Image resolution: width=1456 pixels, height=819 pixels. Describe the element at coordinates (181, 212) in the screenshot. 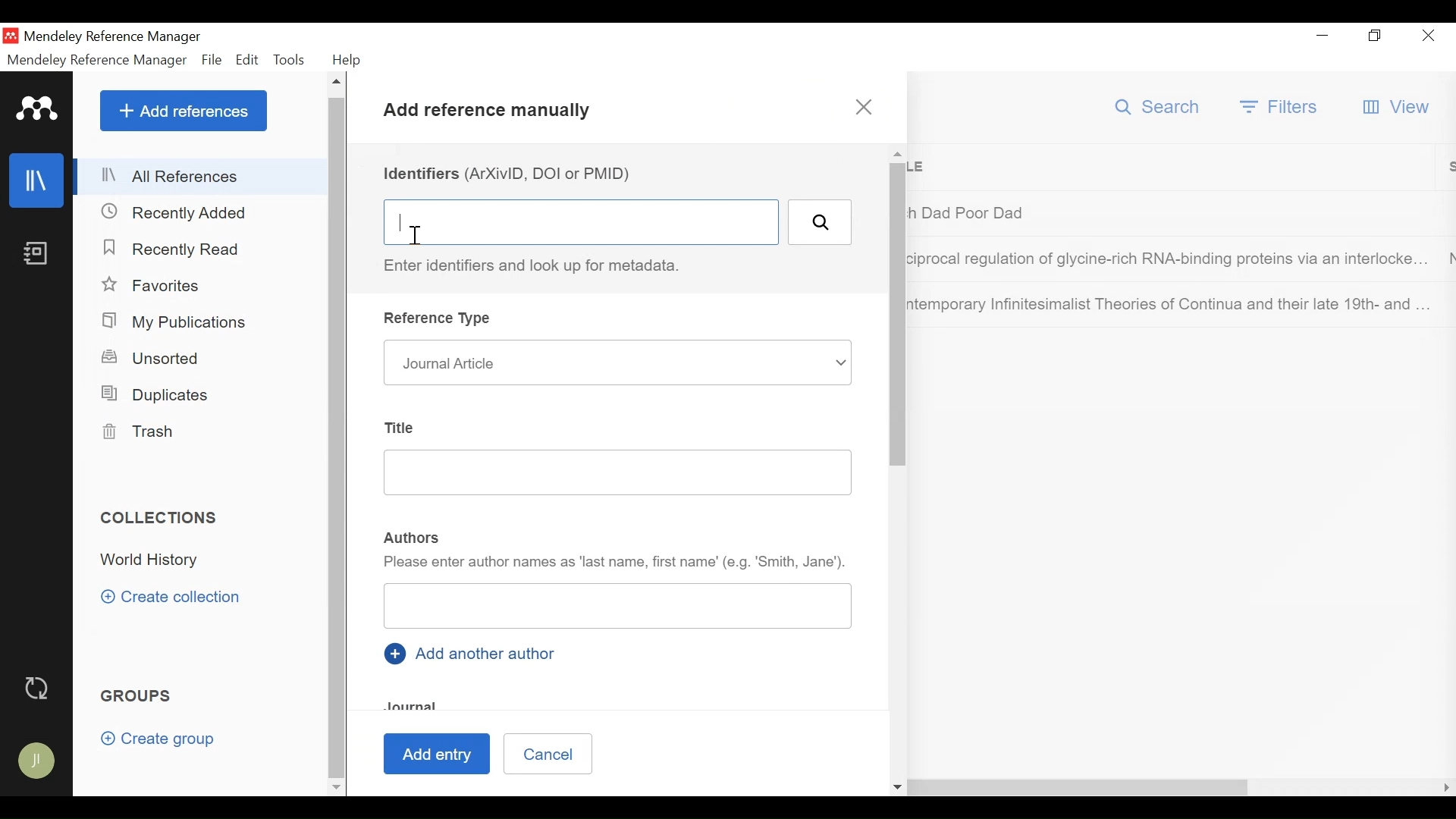

I see `Recently Added` at that location.